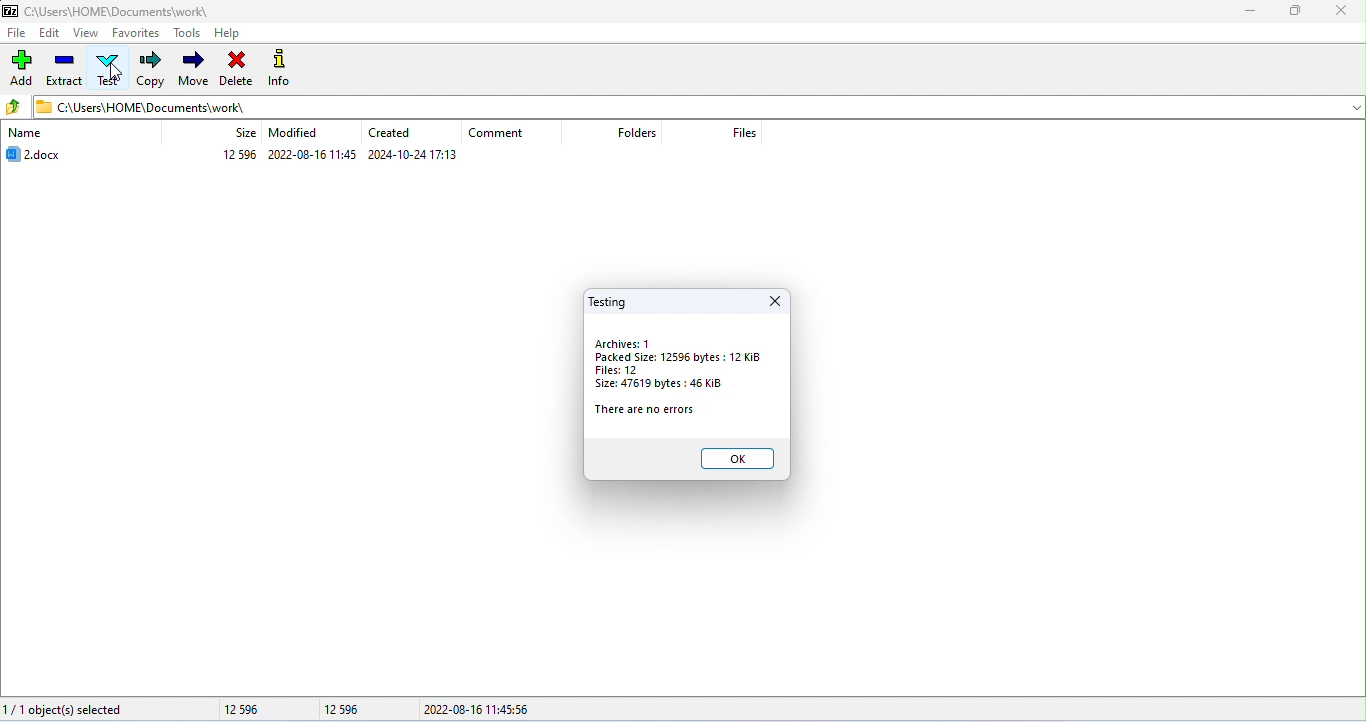 This screenshot has width=1366, height=722. What do you see at coordinates (150, 69) in the screenshot?
I see `copy` at bounding box center [150, 69].